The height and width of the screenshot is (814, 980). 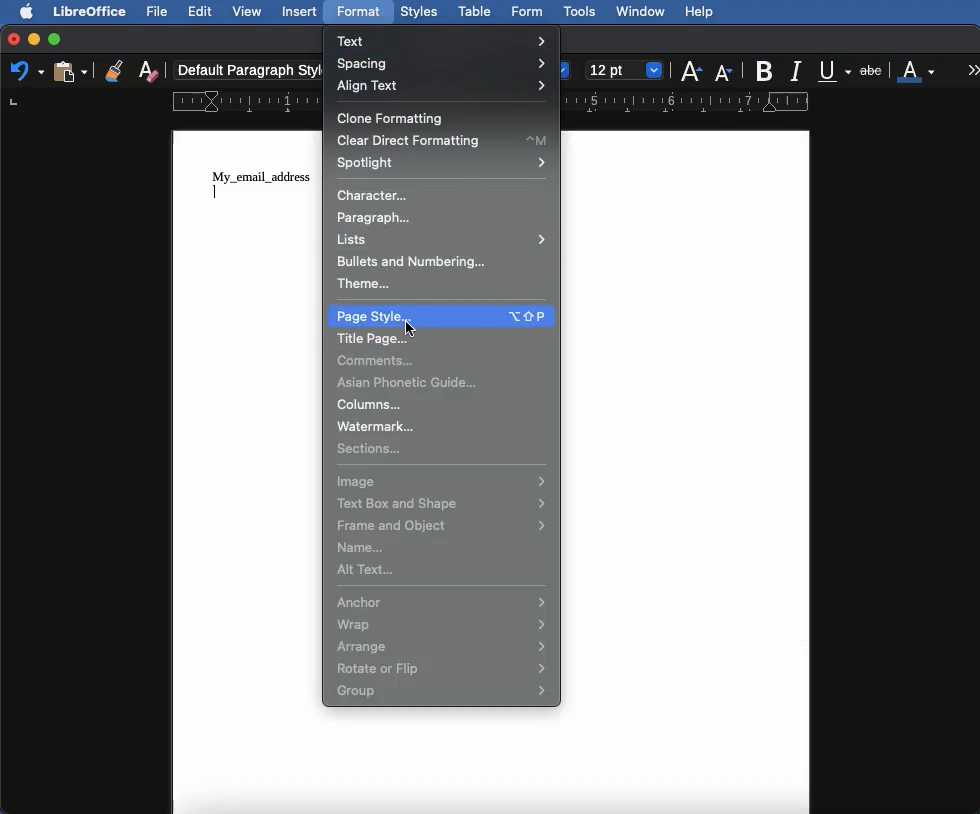 I want to click on Help, so click(x=699, y=12).